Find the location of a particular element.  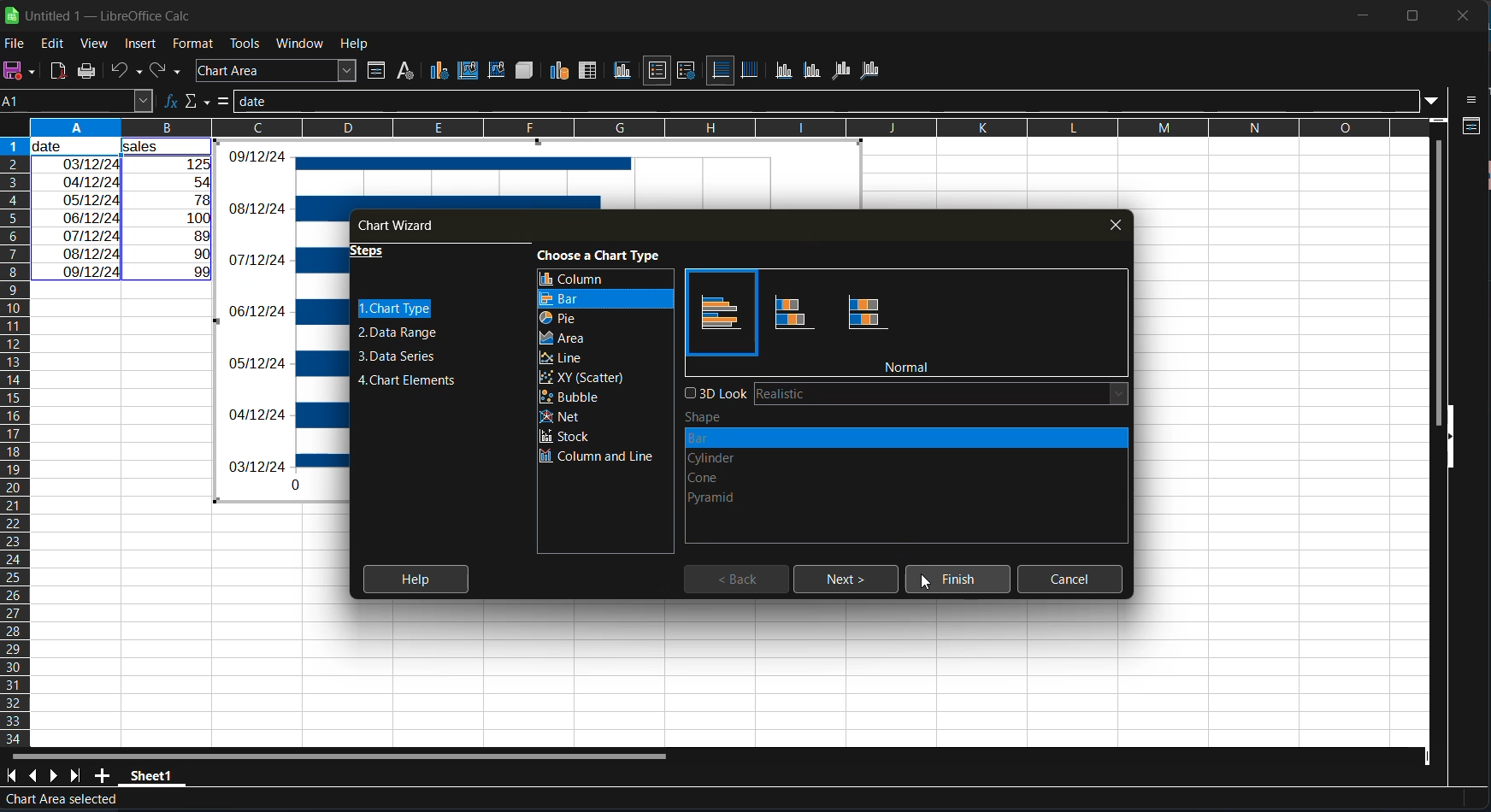

side bar settings is located at coordinates (1473, 100).